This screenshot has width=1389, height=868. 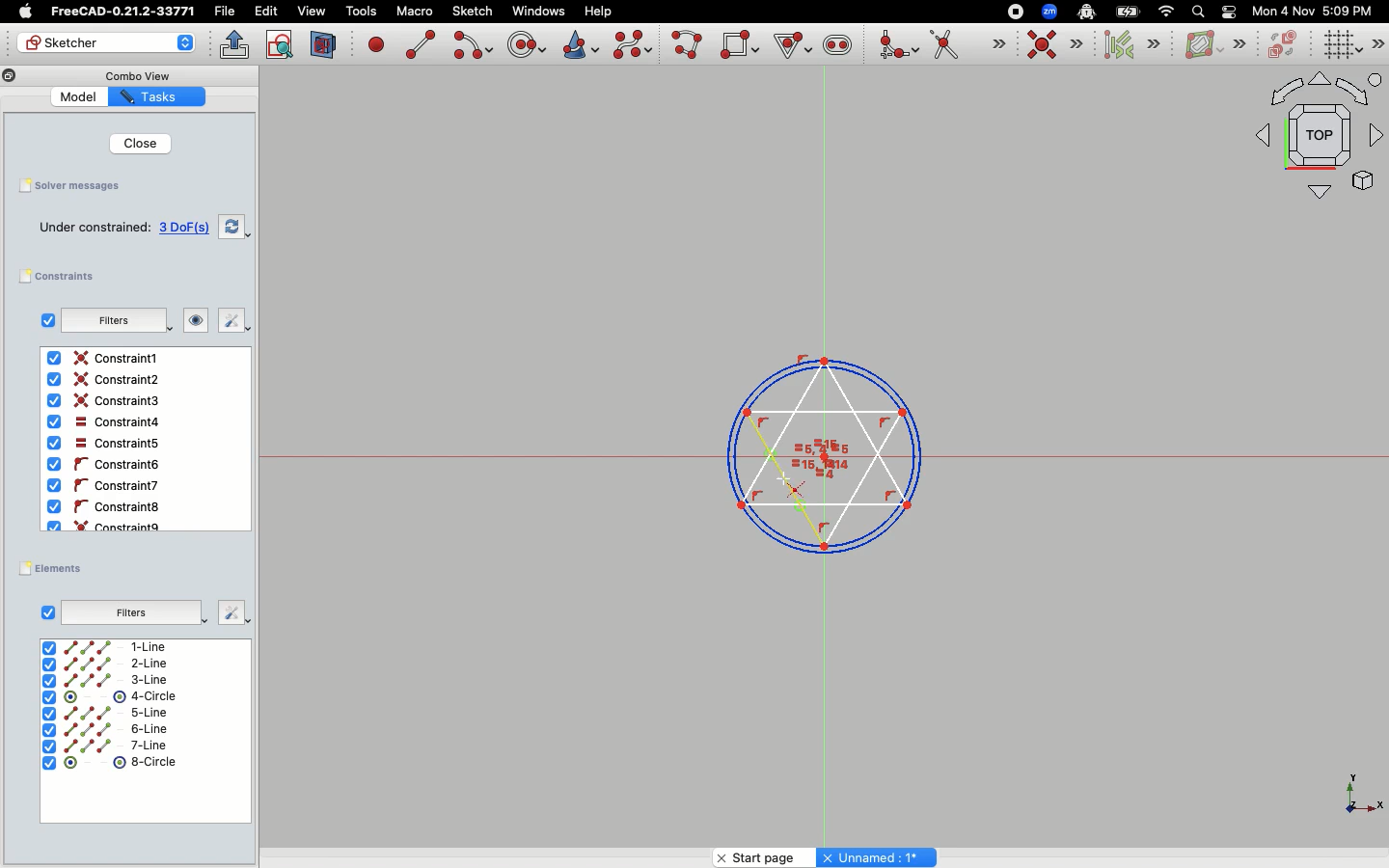 I want to click on Create slot, so click(x=836, y=47).